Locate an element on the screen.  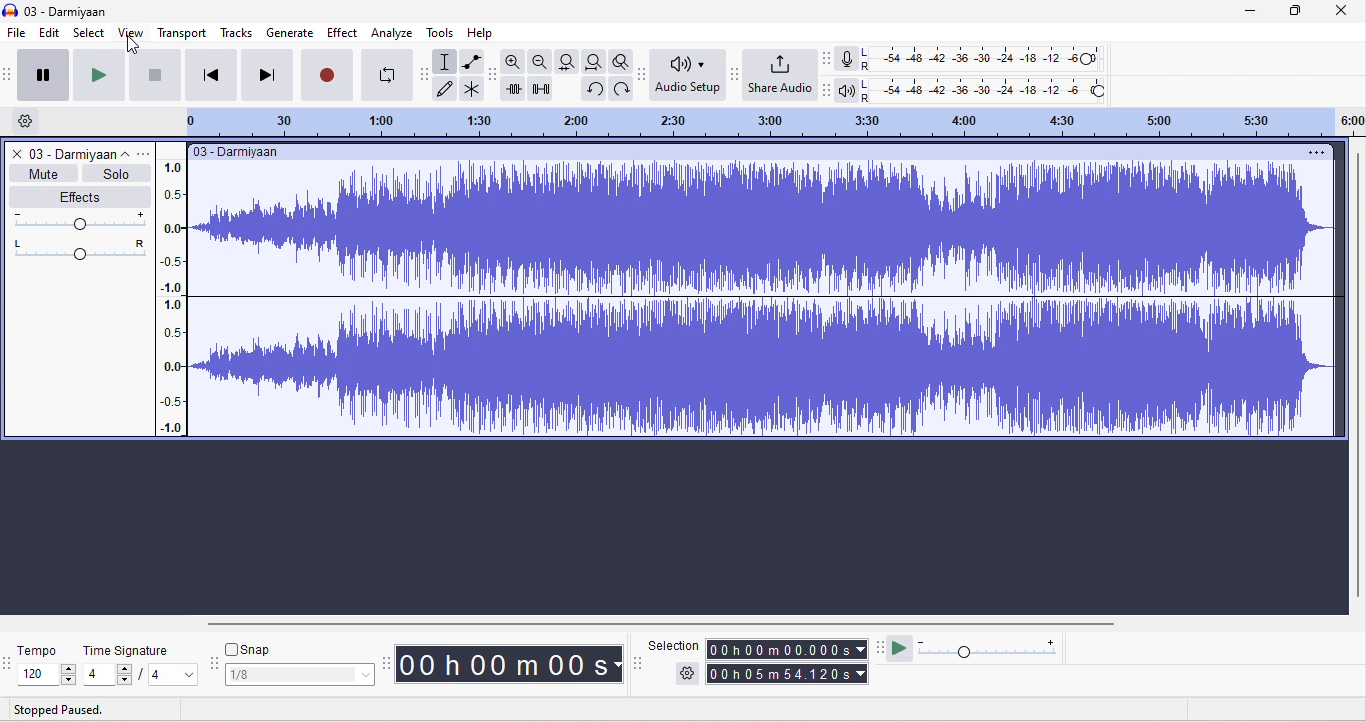
selection toolbar is located at coordinates (639, 664).